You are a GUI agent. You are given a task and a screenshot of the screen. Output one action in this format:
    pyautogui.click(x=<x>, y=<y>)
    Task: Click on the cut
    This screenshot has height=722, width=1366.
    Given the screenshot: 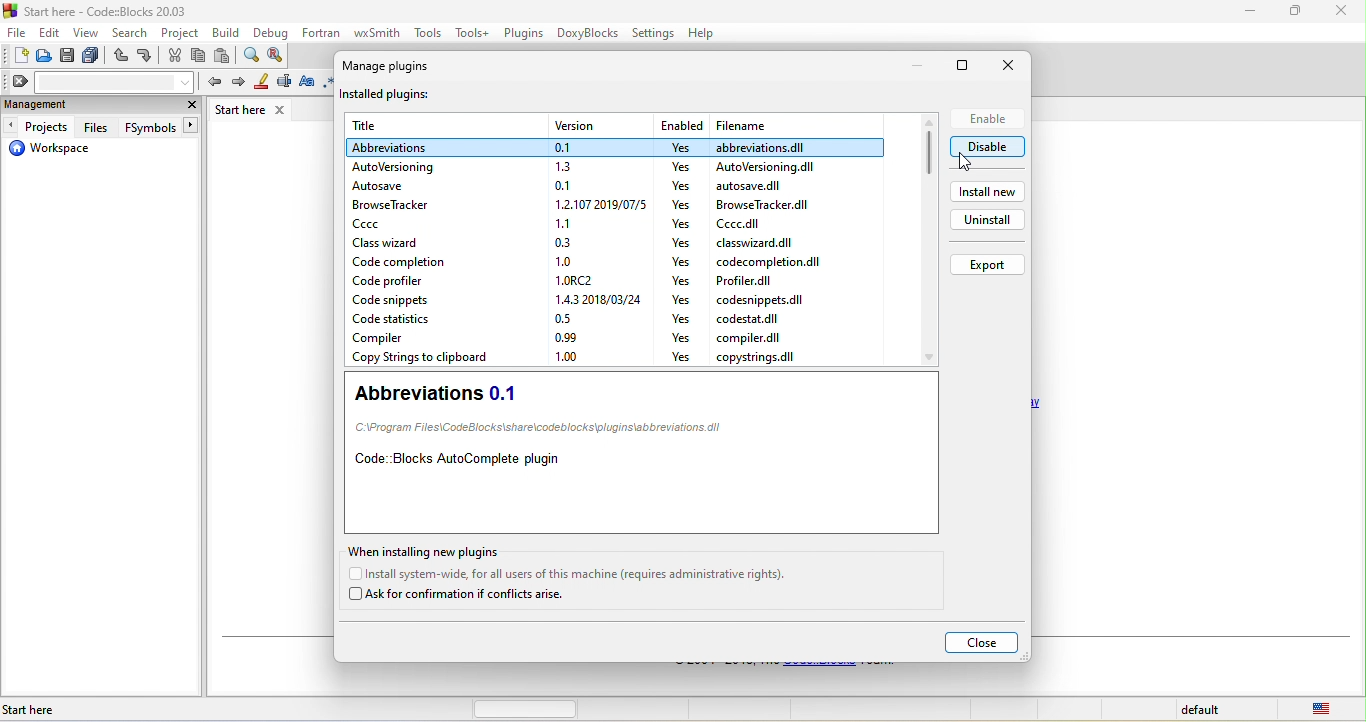 What is the action you would take?
    pyautogui.click(x=175, y=55)
    